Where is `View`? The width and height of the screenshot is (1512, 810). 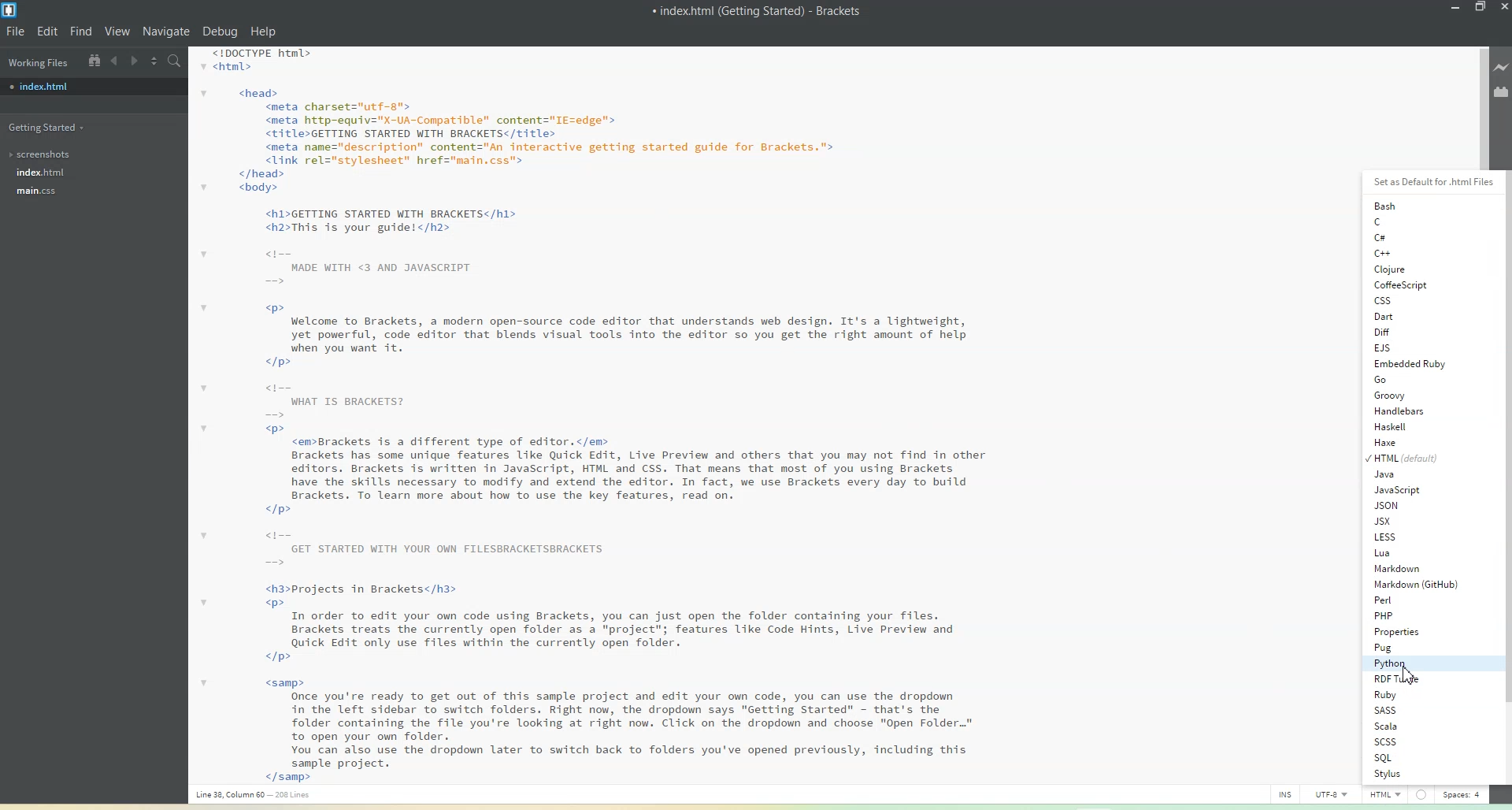 View is located at coordinates (119, 31).